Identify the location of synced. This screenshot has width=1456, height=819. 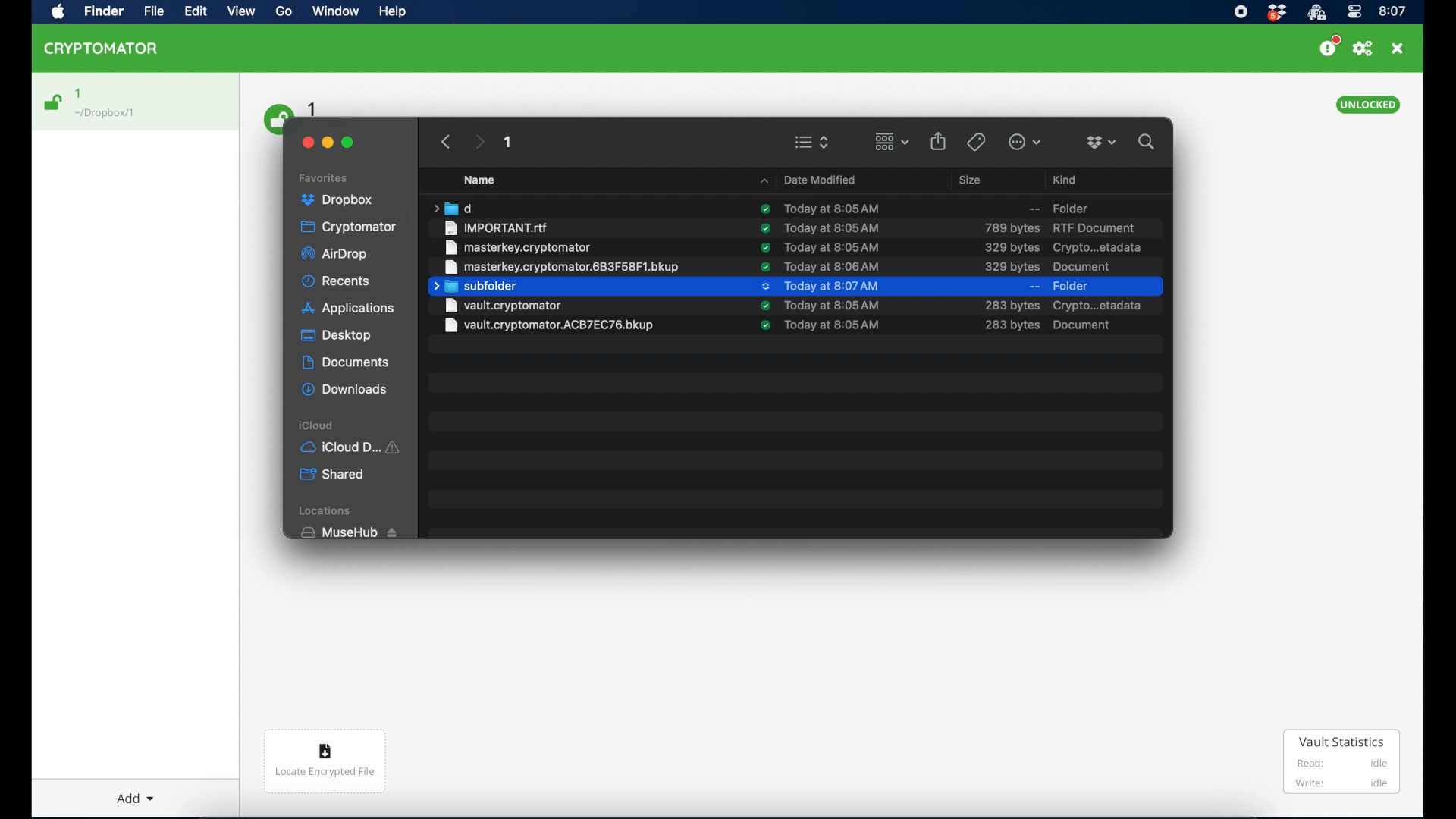
(764, 306).